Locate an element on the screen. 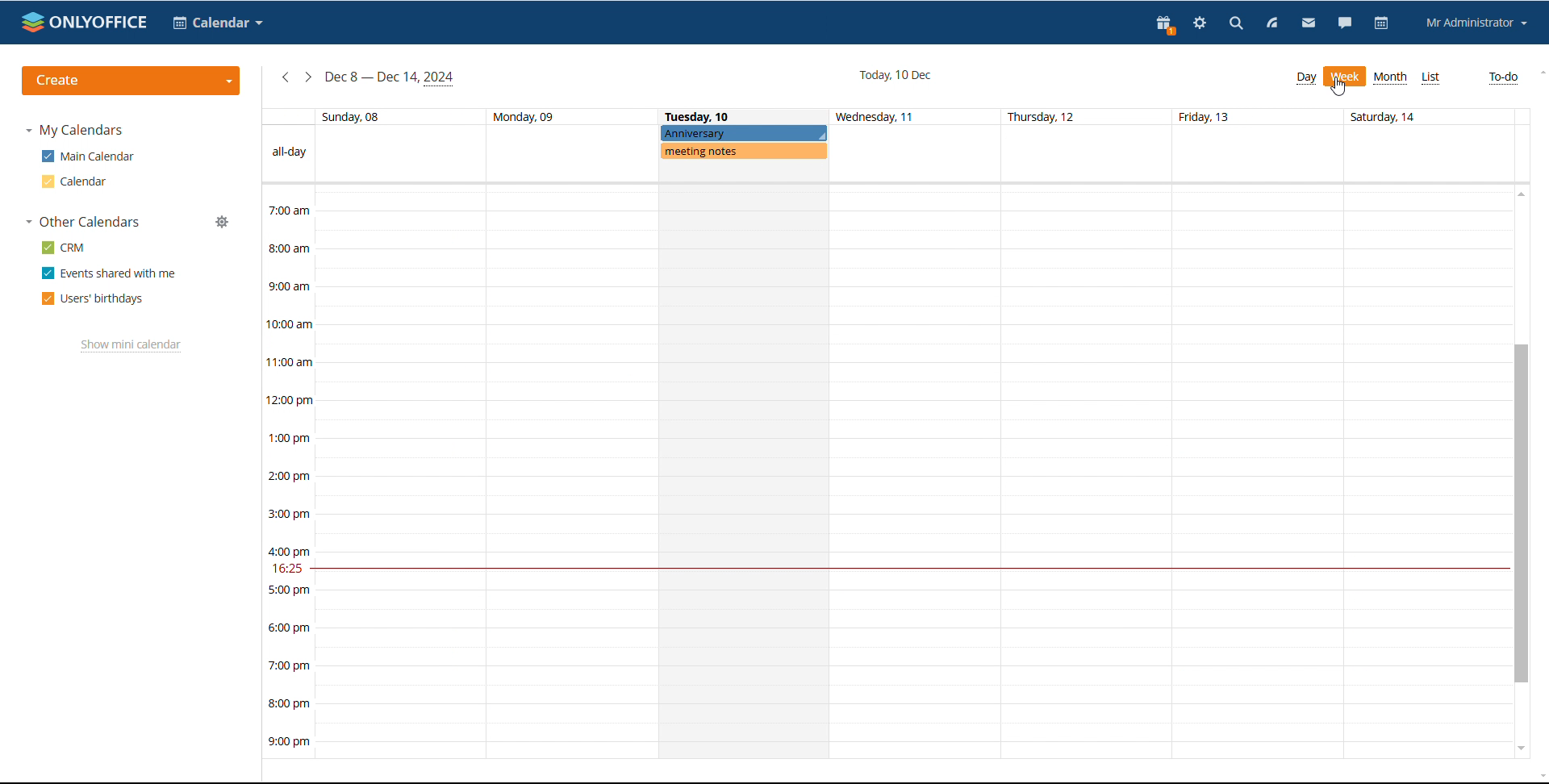 This screenshot has width=1549, height=784. users' birthdays is located at coordinates (91, 300).